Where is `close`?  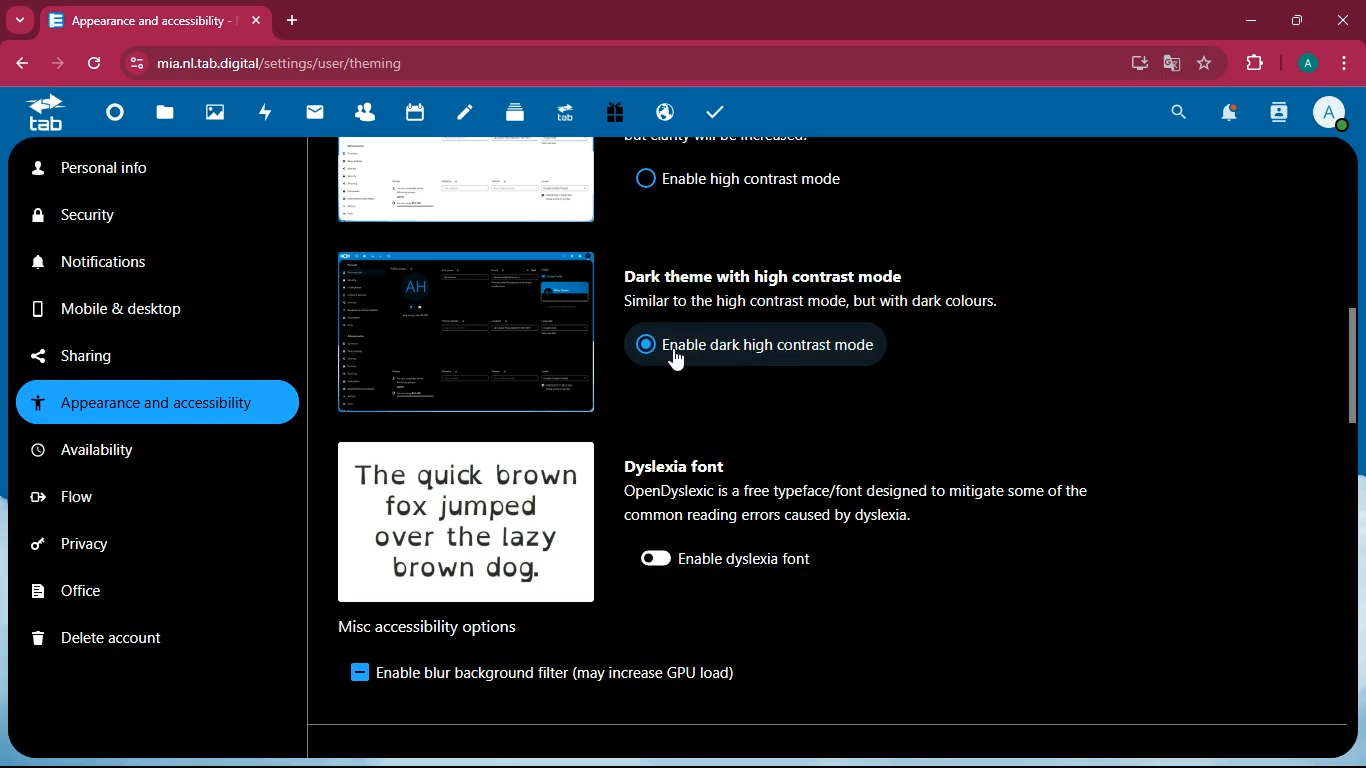
close is located at coordinates (1338, 20).